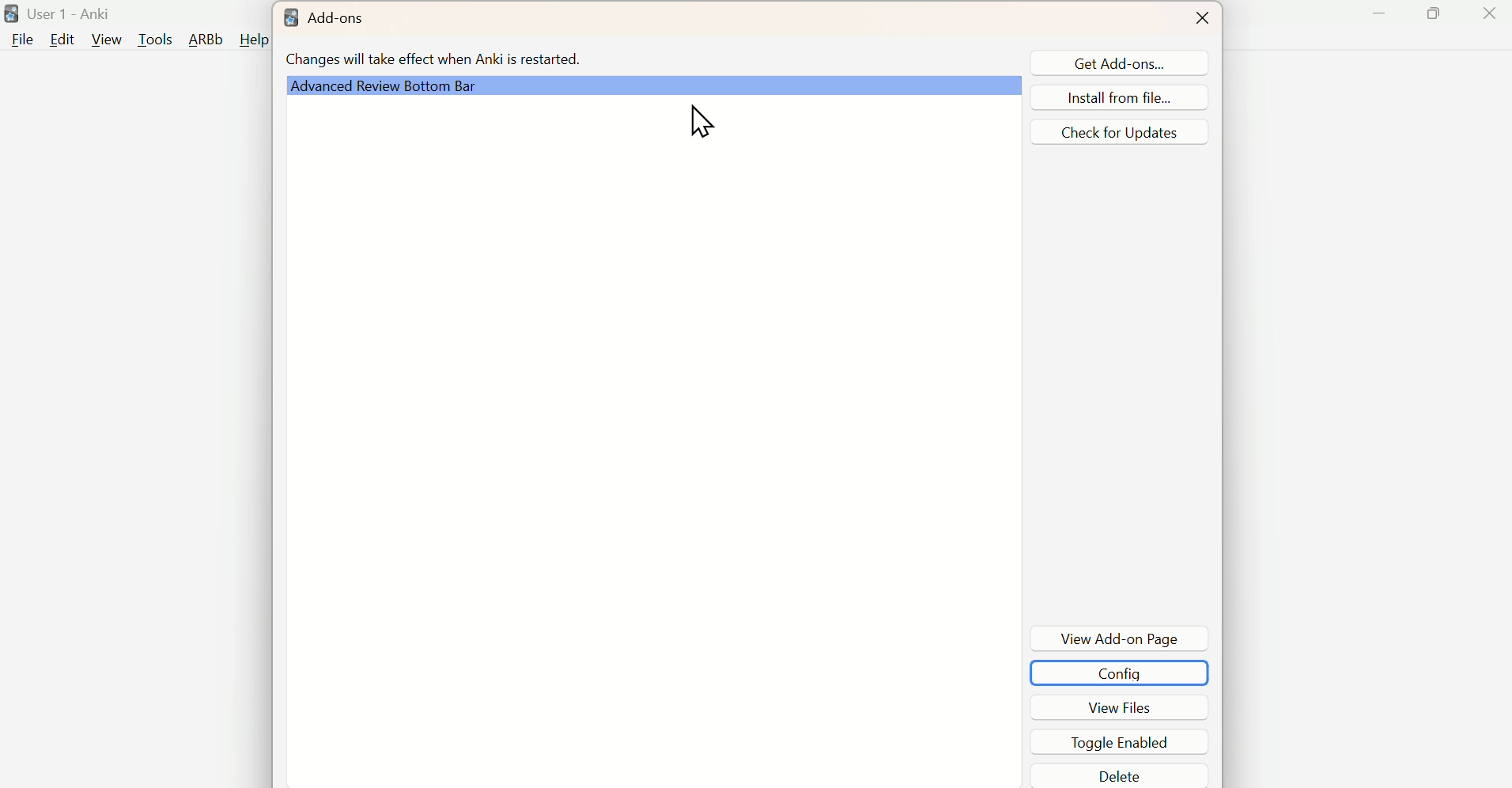 The width and height of the screenshot is (1512, 788). I want to click on Tools, so click(157, 40).